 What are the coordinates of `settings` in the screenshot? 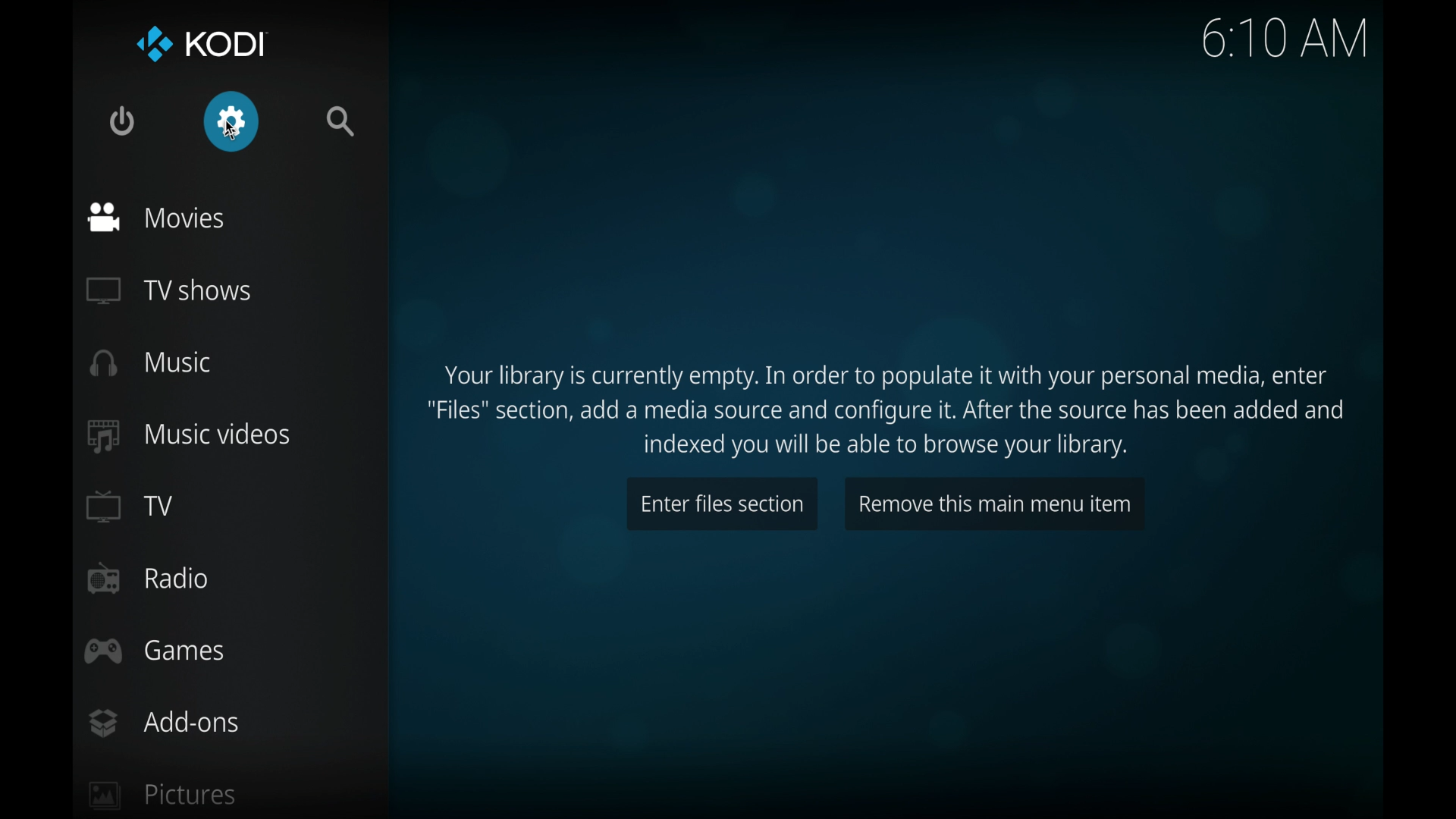 It's located at (232, 120).